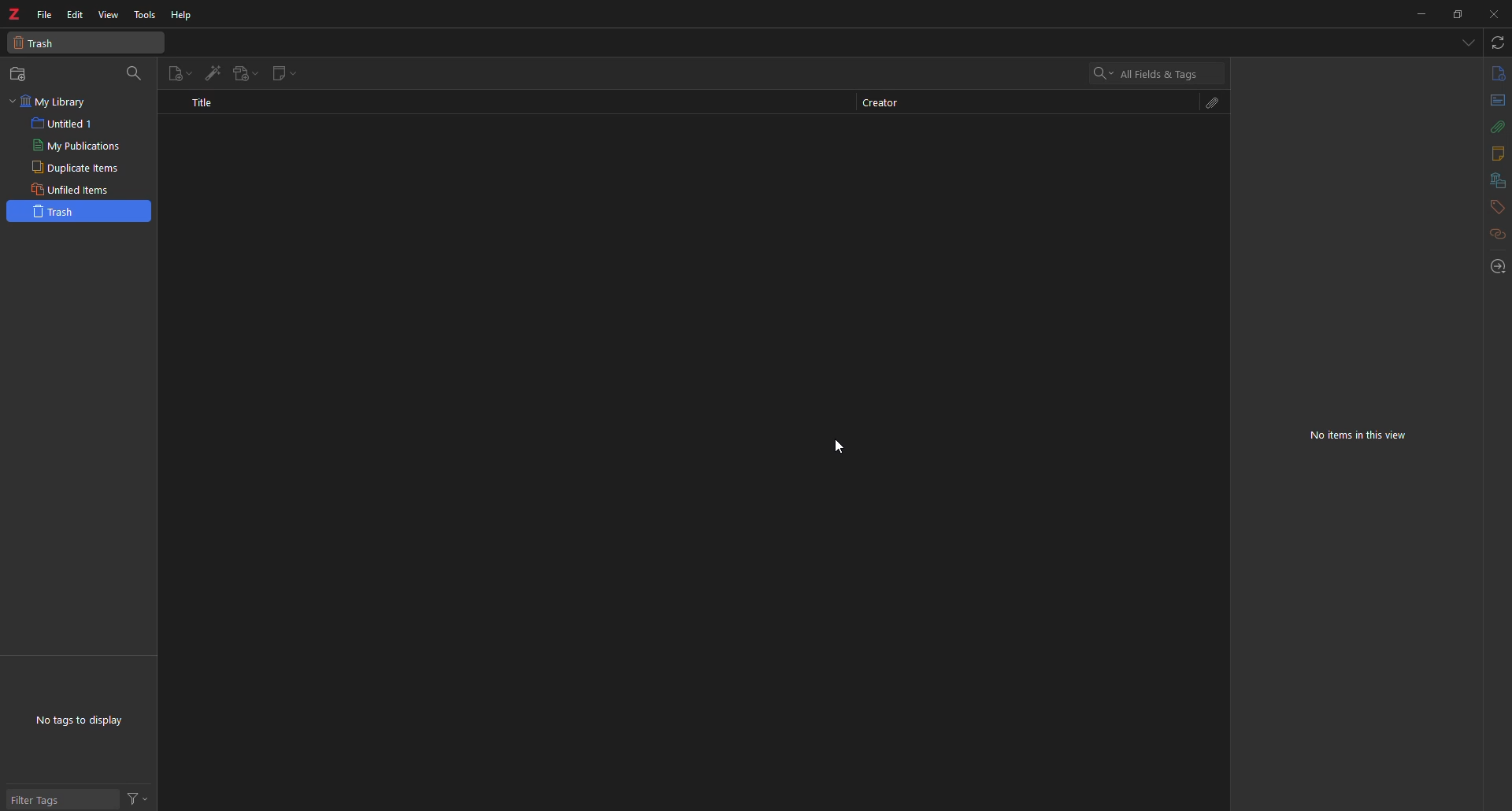 The height and width of the screenshot is (811, 1512). Describe the element at coordinates (1495, 234) in the screenshot. I see `related` at that location.